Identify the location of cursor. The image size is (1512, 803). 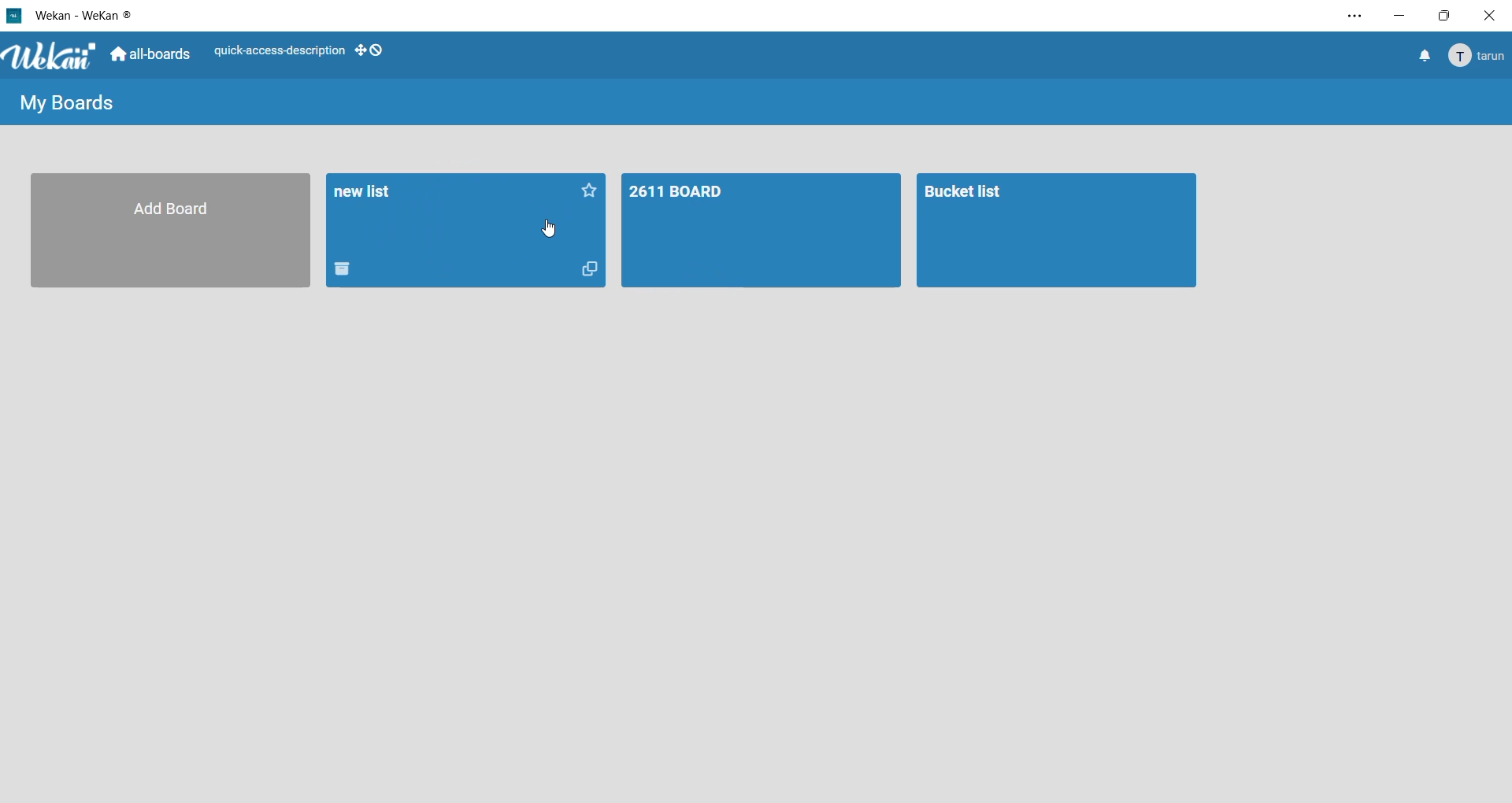
(548, 229).